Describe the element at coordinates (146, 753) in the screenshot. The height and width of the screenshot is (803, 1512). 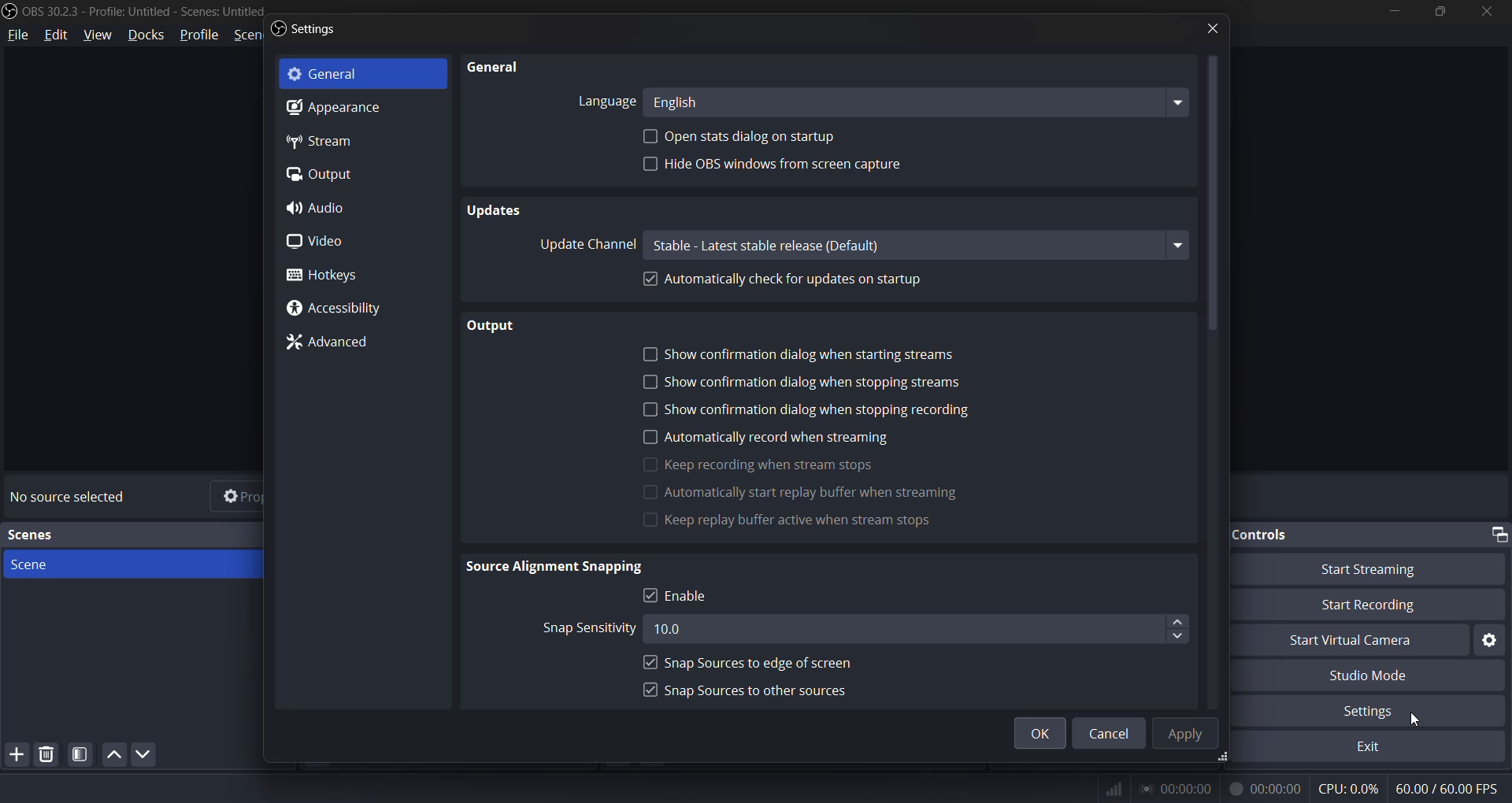
I see `move down` at that location.